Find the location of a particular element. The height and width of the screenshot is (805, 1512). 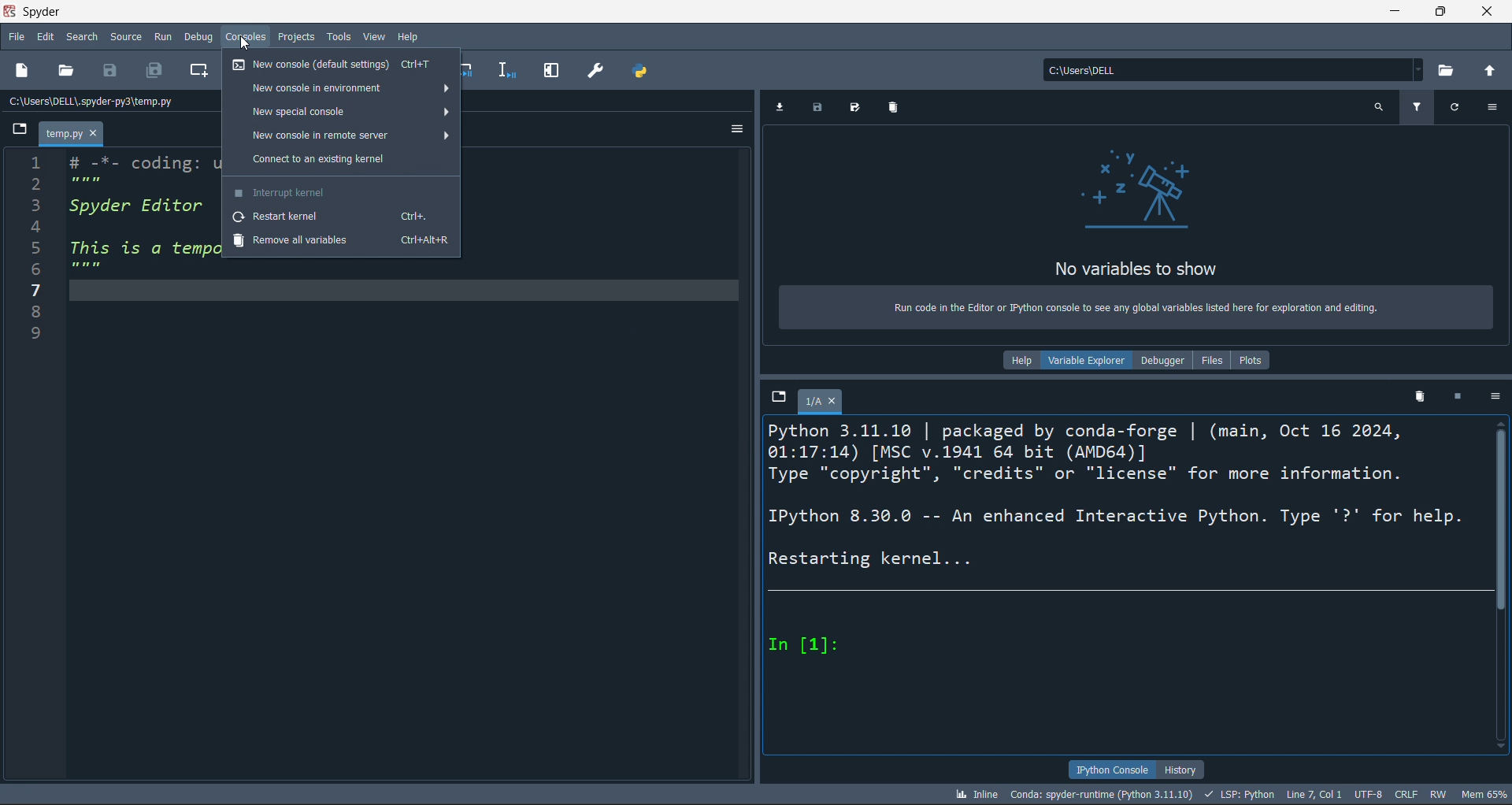

telescope is located at coordinates (1135, 191).